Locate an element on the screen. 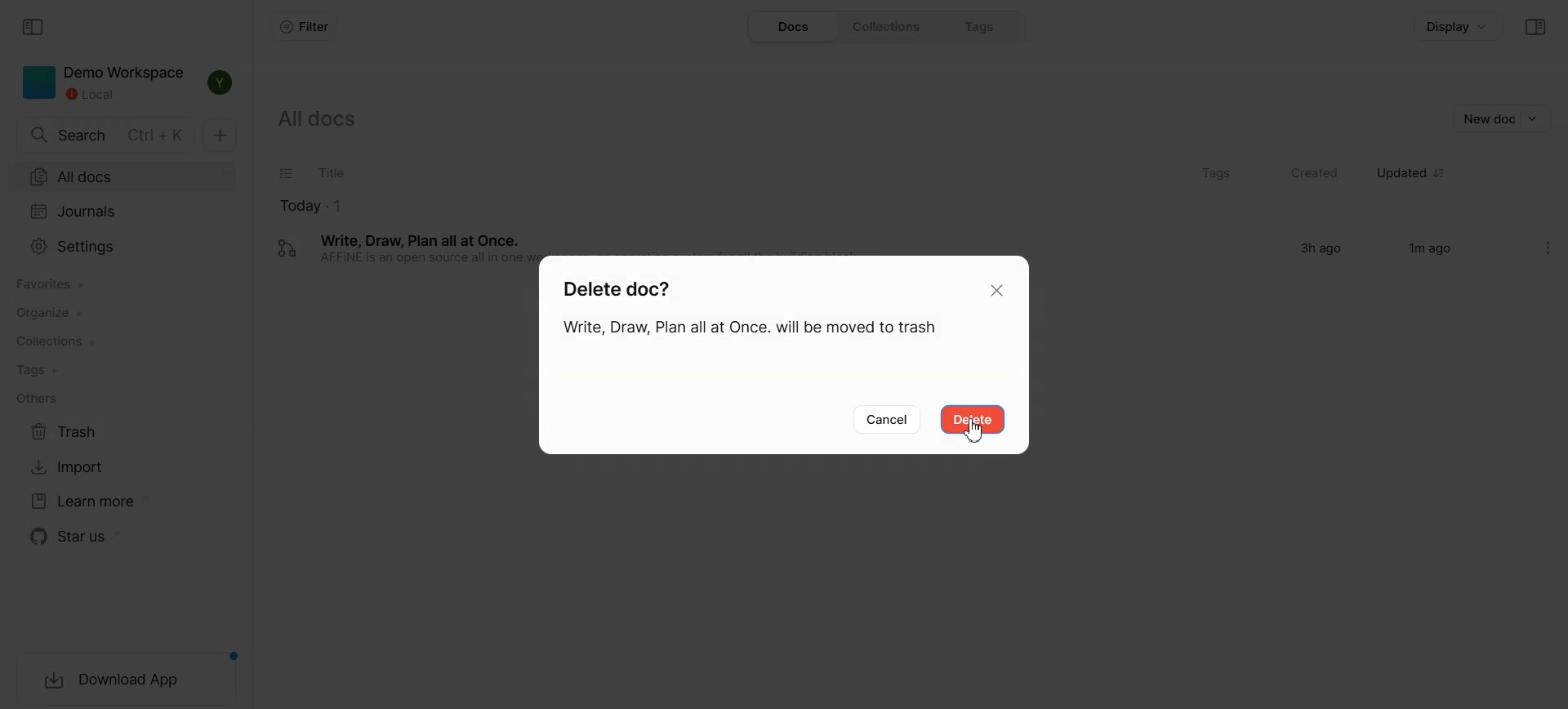 This screenshot has height=709, width=1568. Demo workspace is located at coordinates (104, 83).